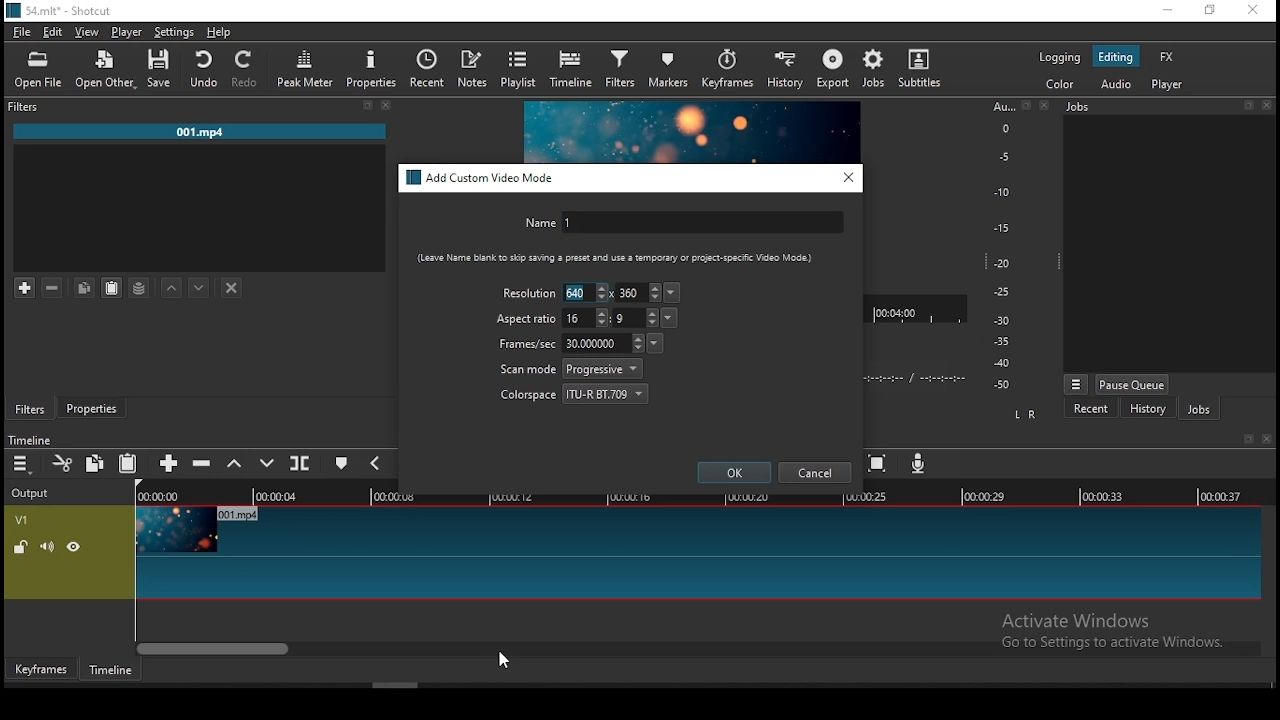 The image size is (1280, 720). I want to click on colorspace, so click(575, 392).